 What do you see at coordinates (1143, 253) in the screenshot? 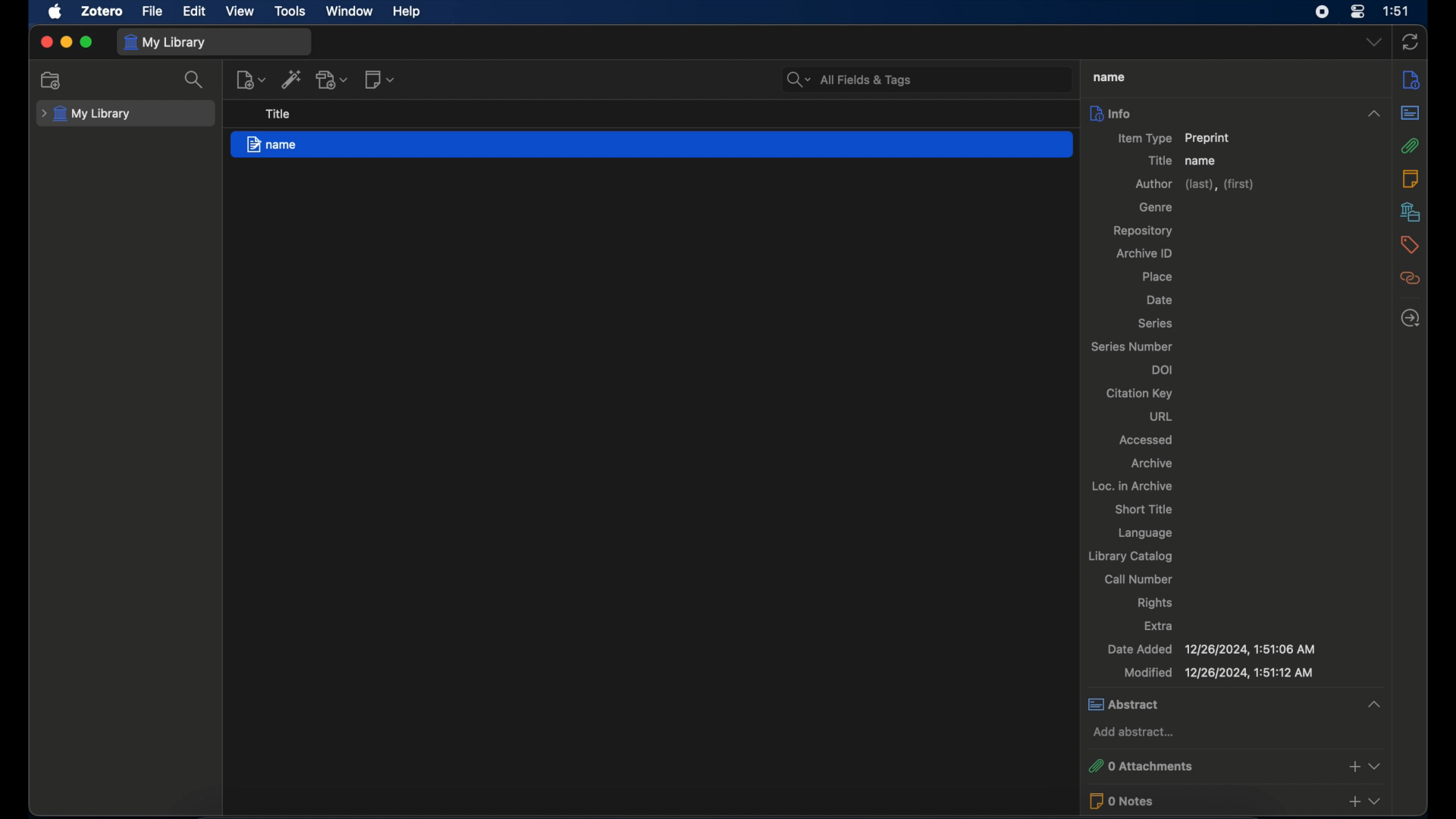
I see `archive id` at bounding box center [1143, 253].